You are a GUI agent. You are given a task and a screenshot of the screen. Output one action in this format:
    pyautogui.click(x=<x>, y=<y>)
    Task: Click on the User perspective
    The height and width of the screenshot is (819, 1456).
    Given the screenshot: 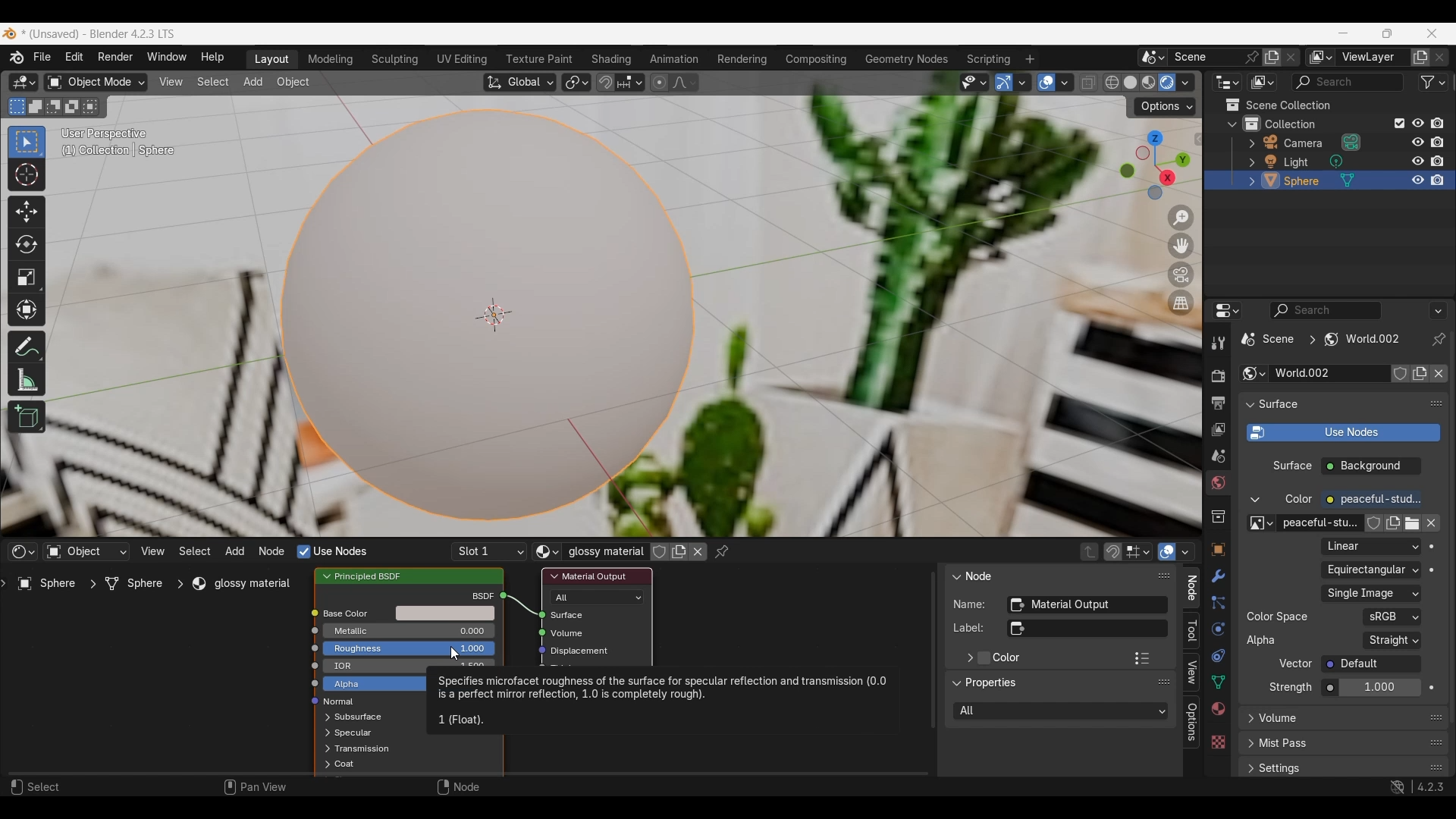 What is the action you would take?
    pyautogui.click(x=106, y=133)
    